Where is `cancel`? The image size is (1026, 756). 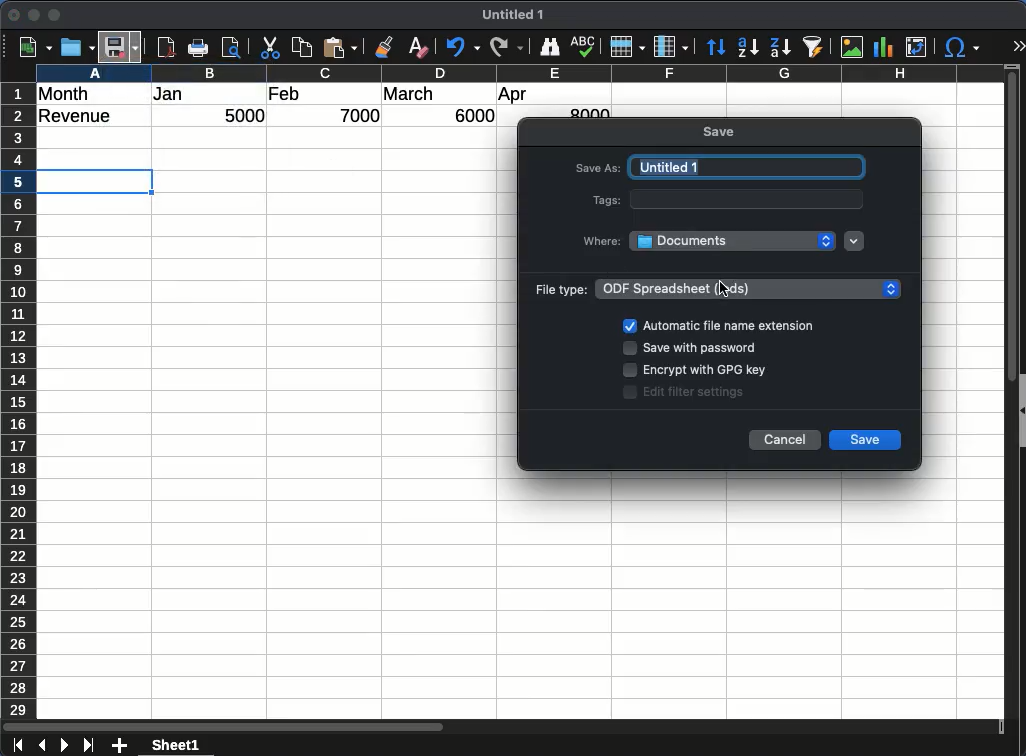 cancel is located at coordinates (787, 439).